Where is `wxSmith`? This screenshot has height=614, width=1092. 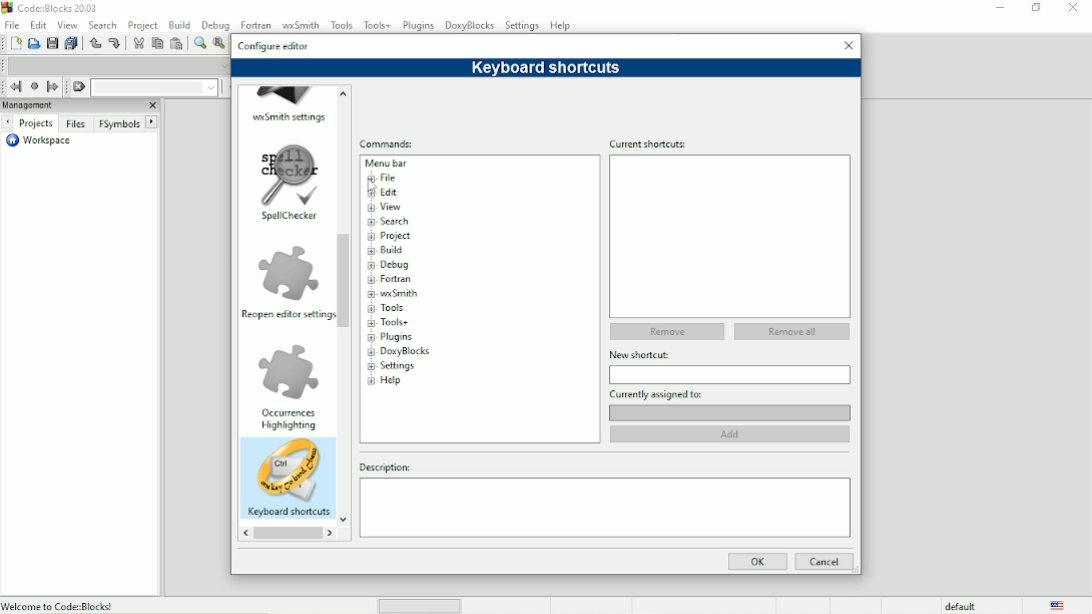 wxSmith is located at coordinates (299, 23).